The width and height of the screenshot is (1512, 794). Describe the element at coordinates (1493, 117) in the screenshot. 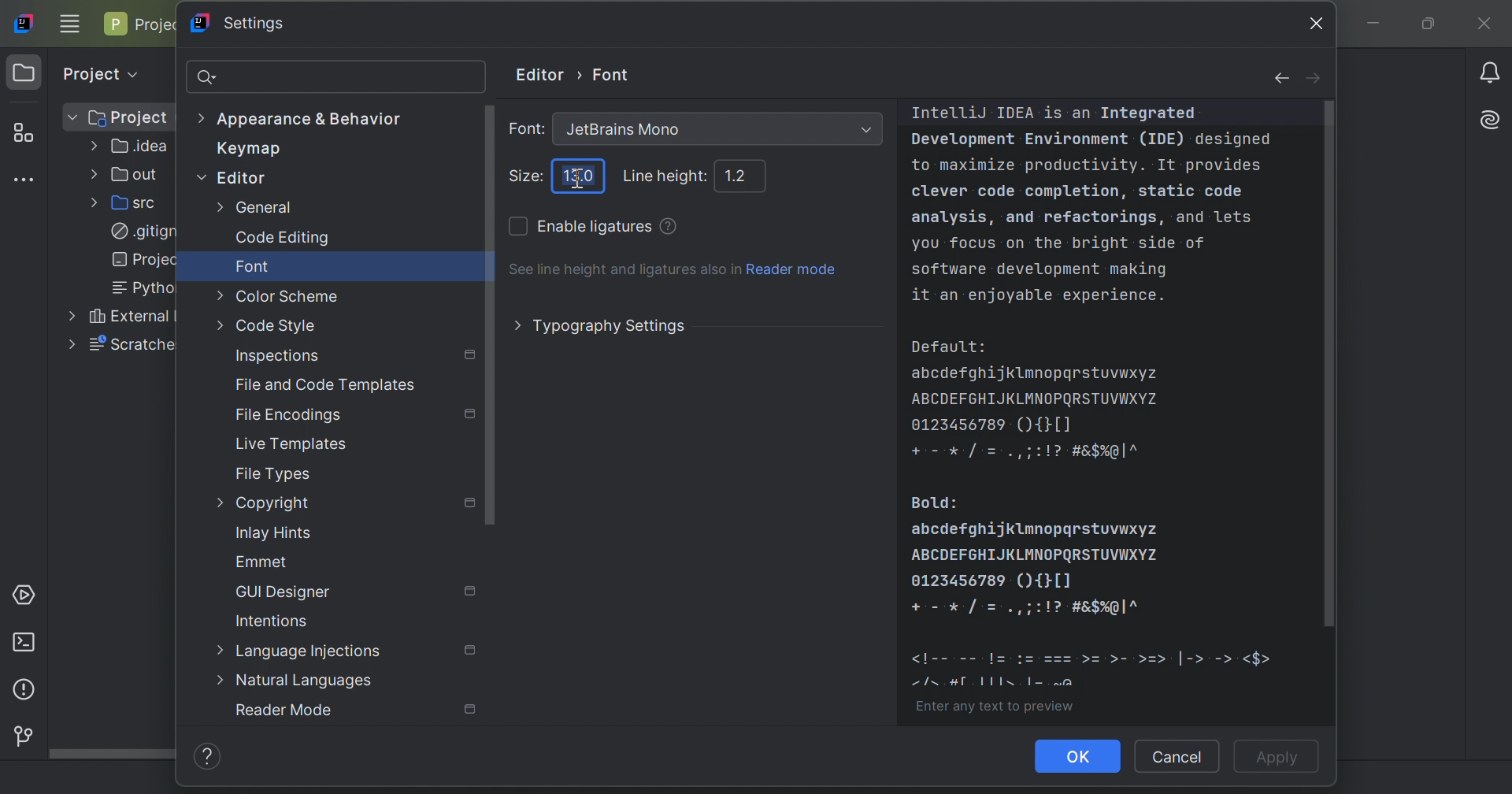

I see `AI Assistant` at that location.